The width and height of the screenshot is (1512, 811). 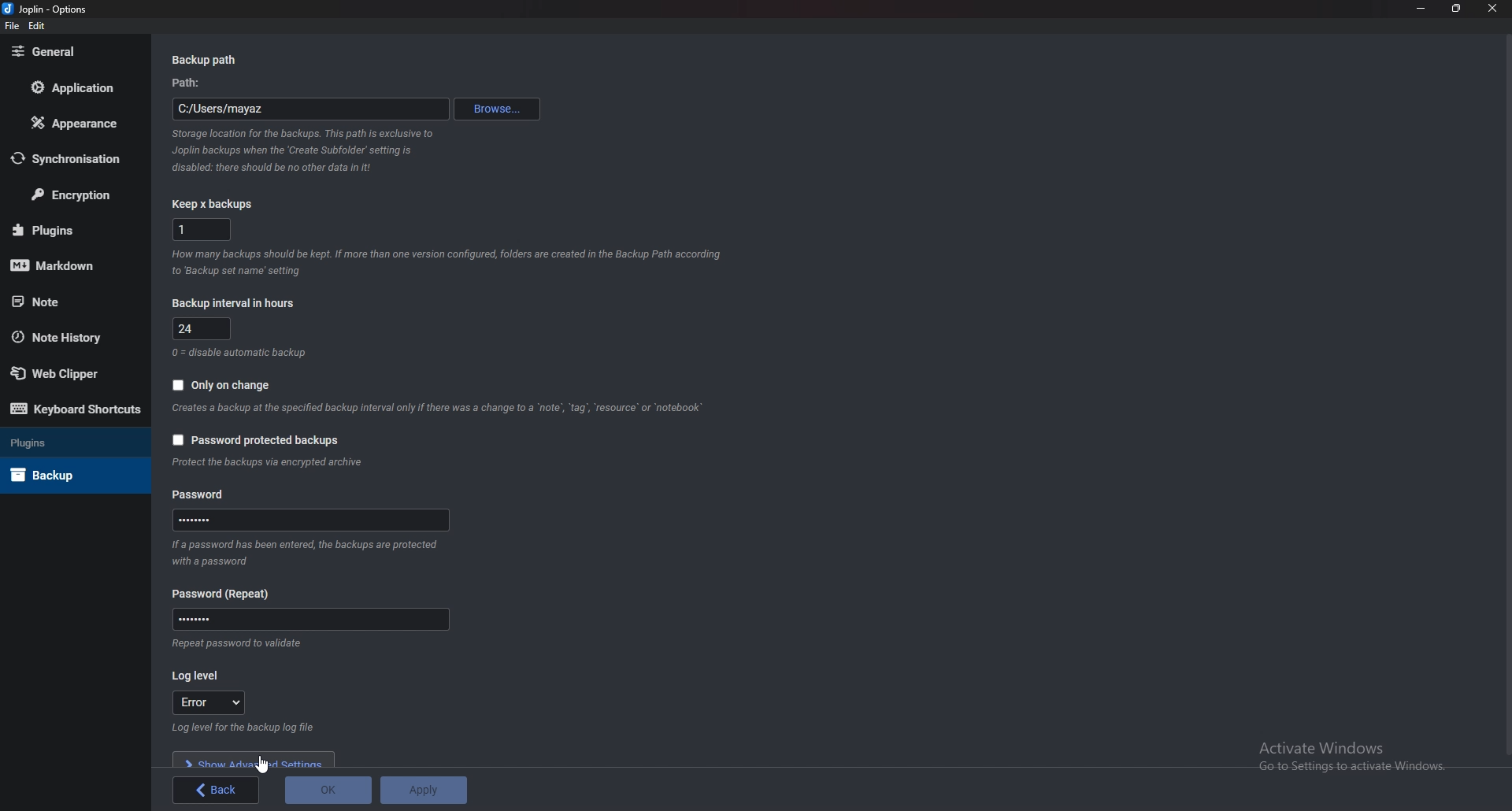 What do you see at coordinates (256, 761) in the screenshot?
I see `show advanced settings` at bounding box center [256, 761].